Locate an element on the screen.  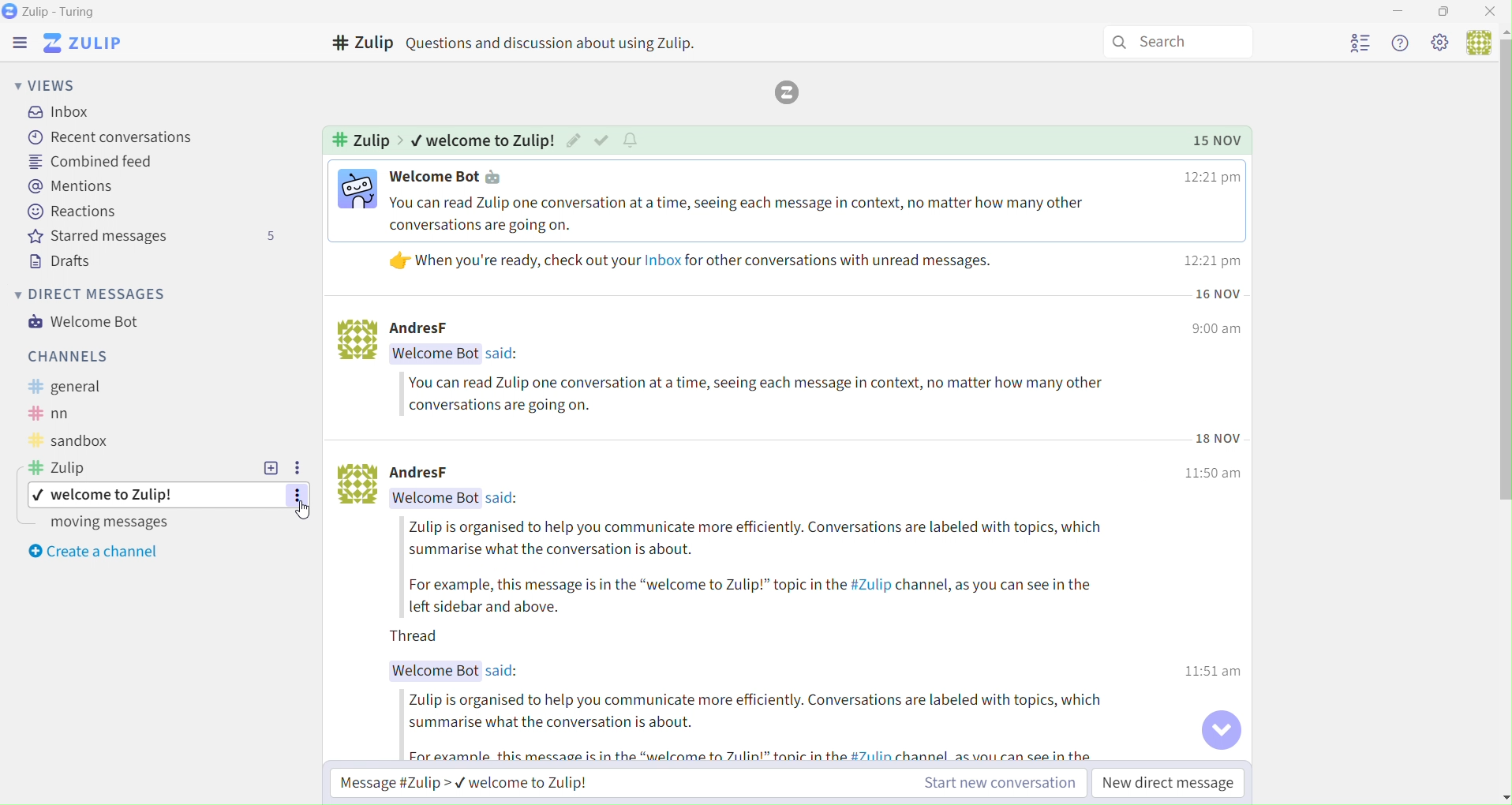
Reactions is located at coordinates (74, 211).